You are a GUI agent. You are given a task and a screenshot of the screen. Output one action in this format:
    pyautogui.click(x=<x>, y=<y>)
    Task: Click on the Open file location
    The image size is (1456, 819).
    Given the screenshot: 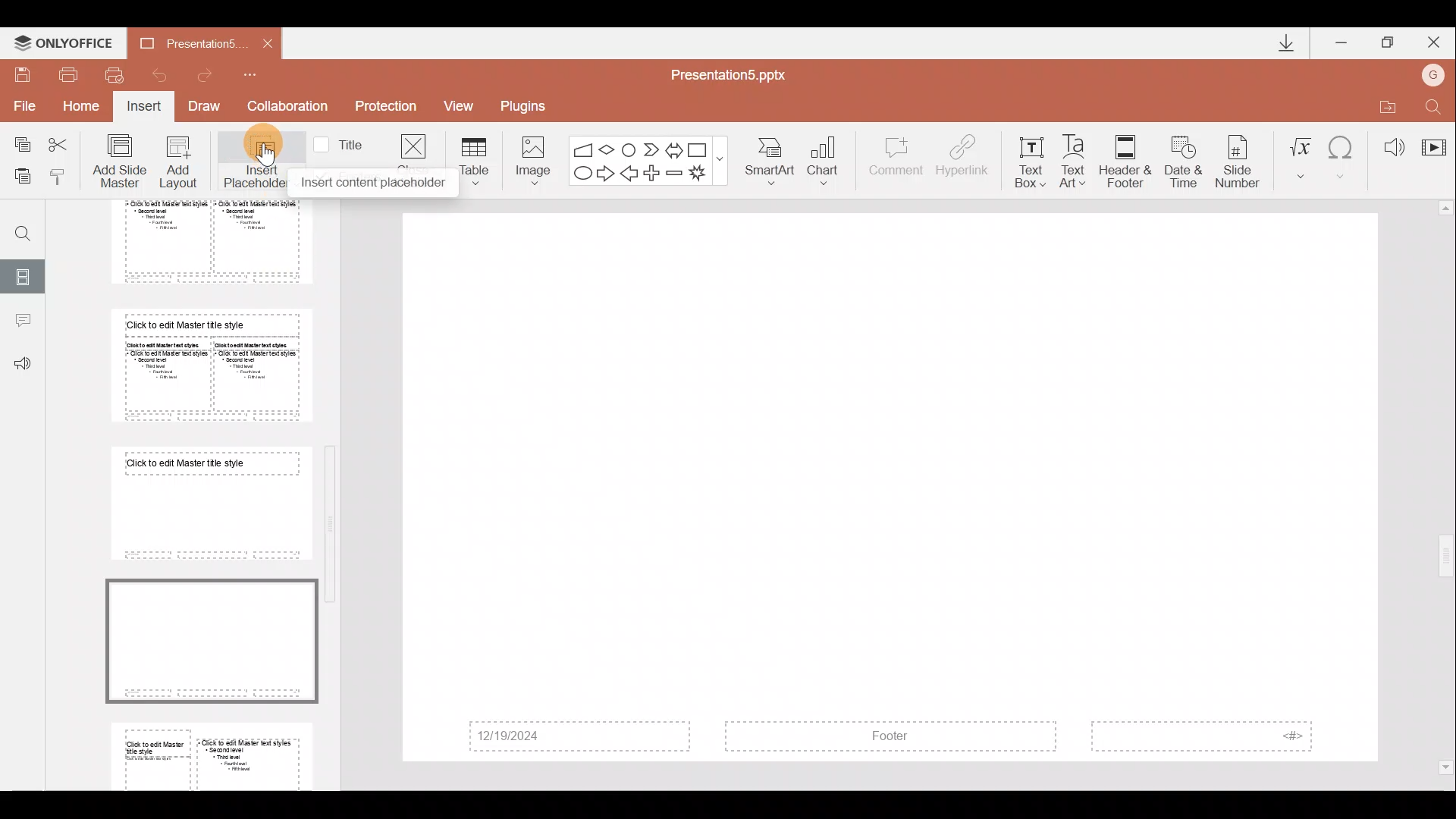 What is the action you would take?
    pyautogui.click(x=1384, y=104)
    